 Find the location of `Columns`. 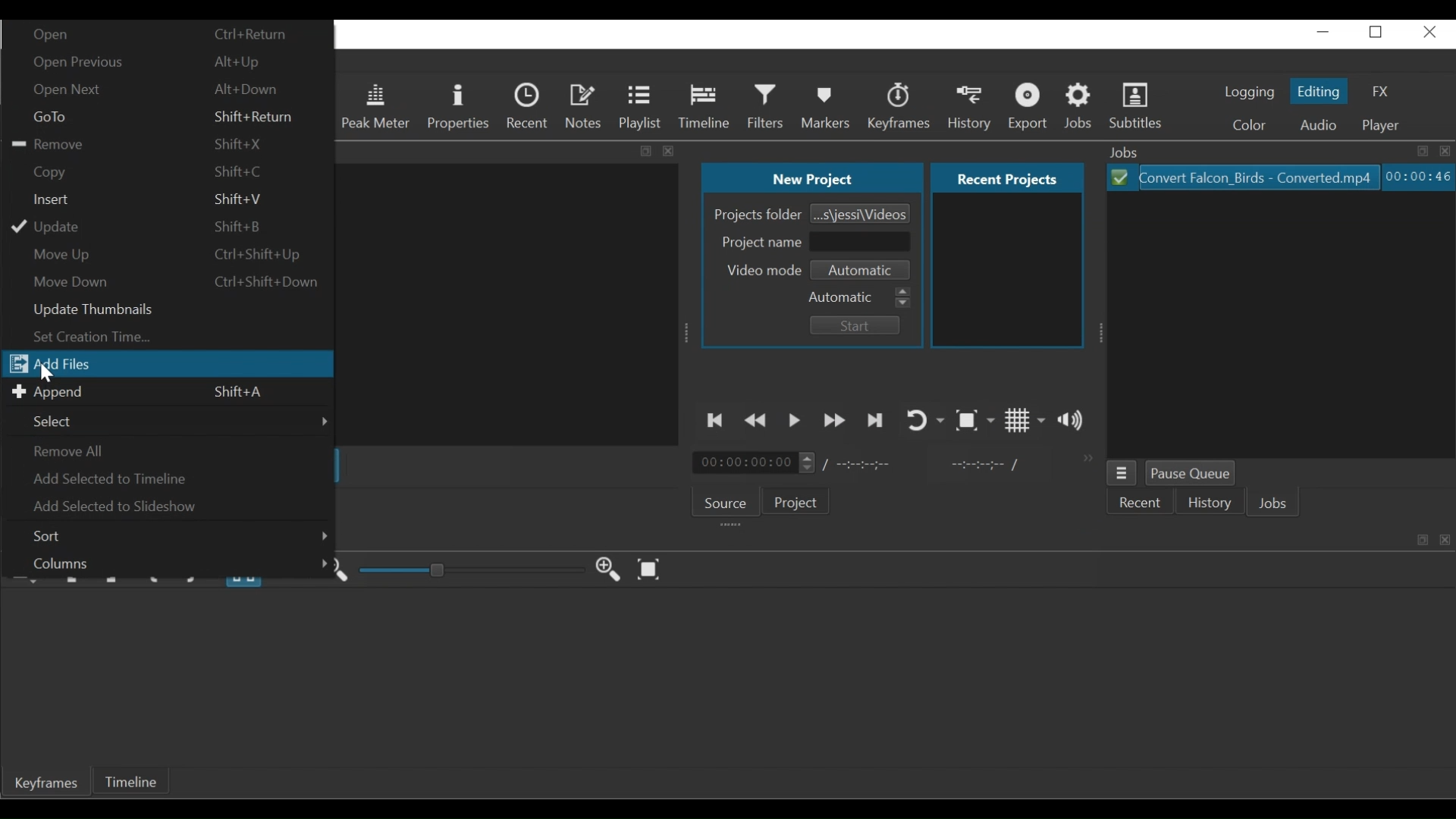

Columns is located at coordinates (178, 564).